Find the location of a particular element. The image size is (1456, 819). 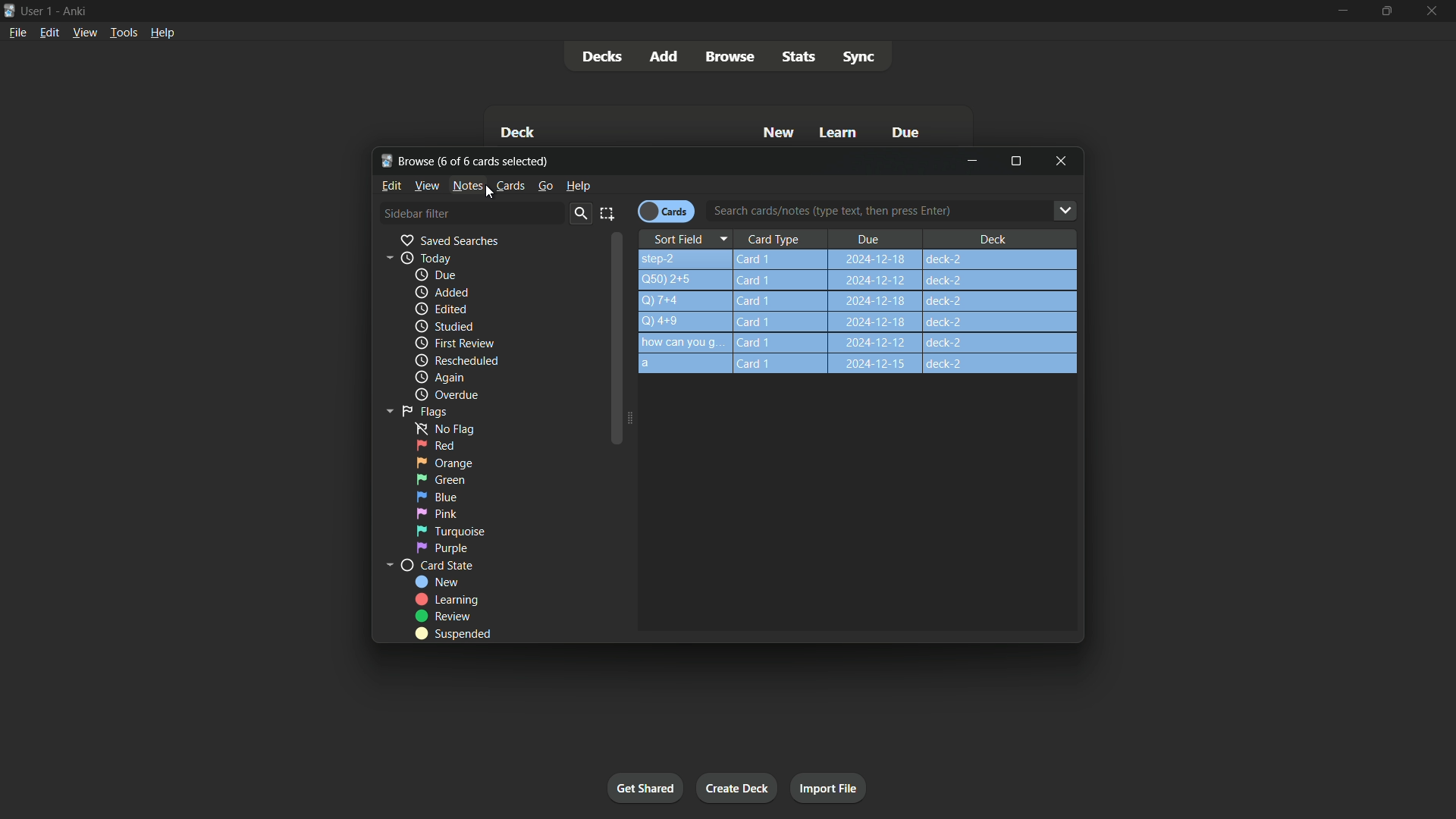

Turquoise is located at coordinates (449, 531).